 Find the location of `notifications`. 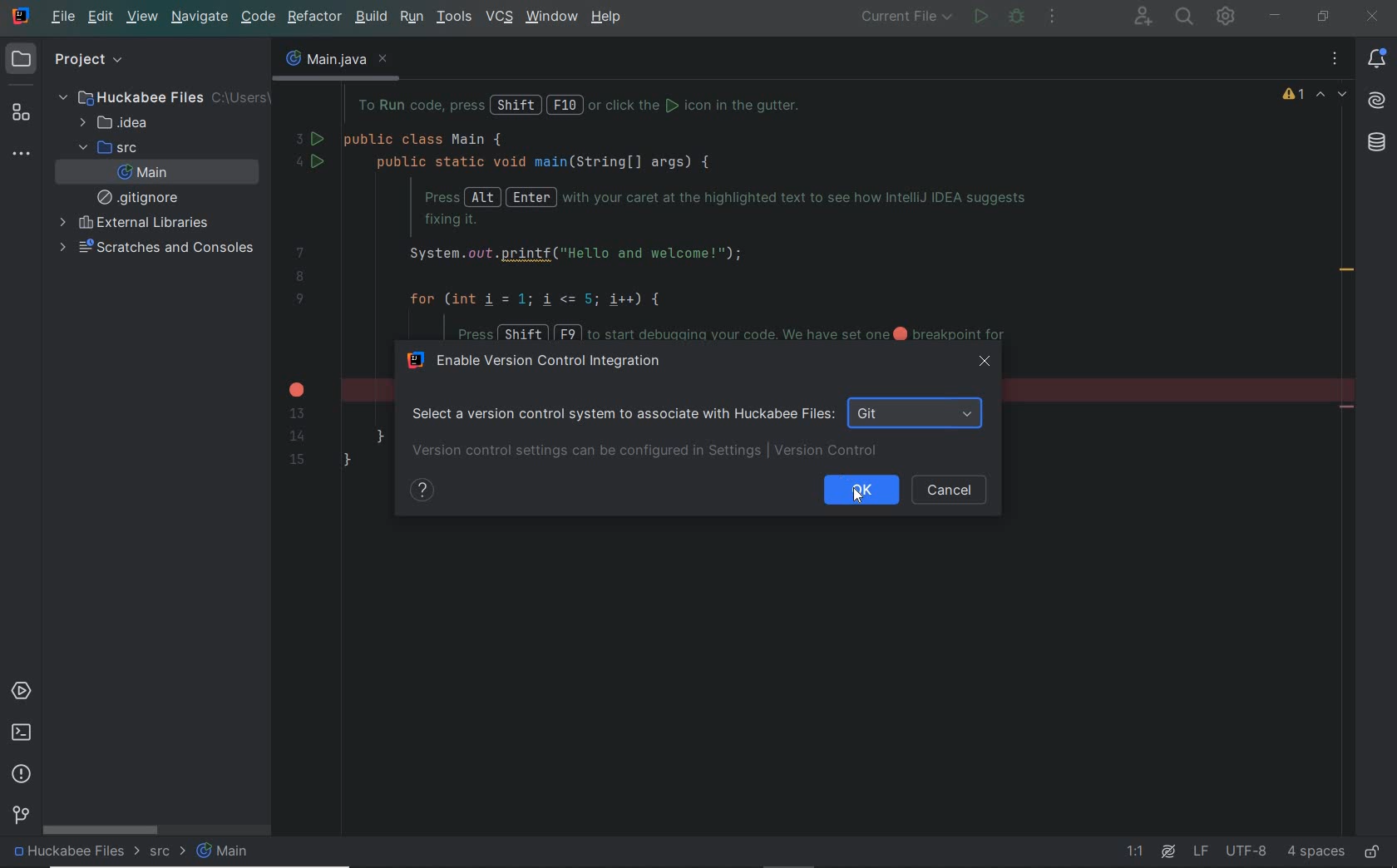

notifications is located at coordinates (1380, 60).